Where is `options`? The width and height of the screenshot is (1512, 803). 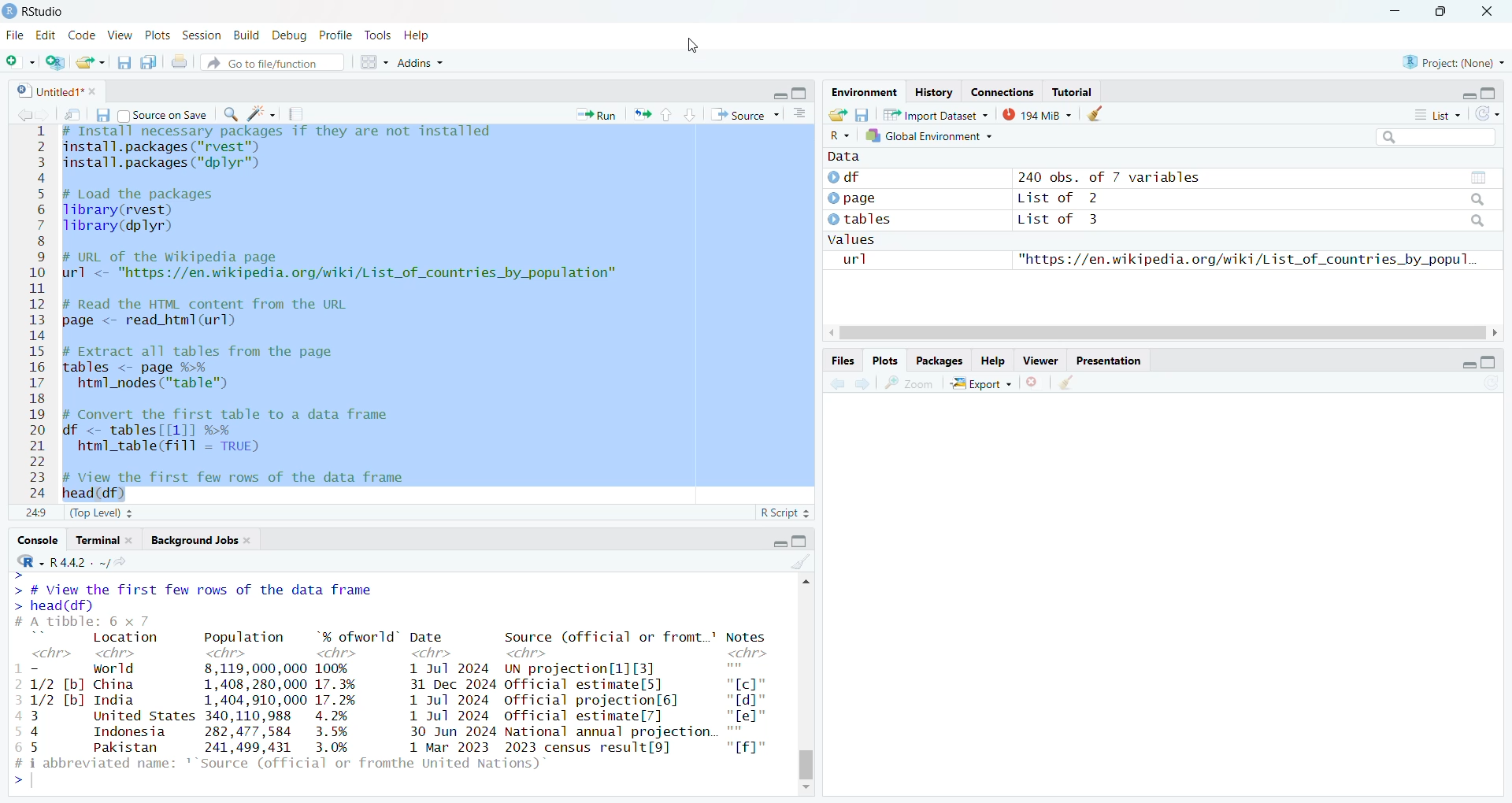 options is located at coordinates (799, 113).